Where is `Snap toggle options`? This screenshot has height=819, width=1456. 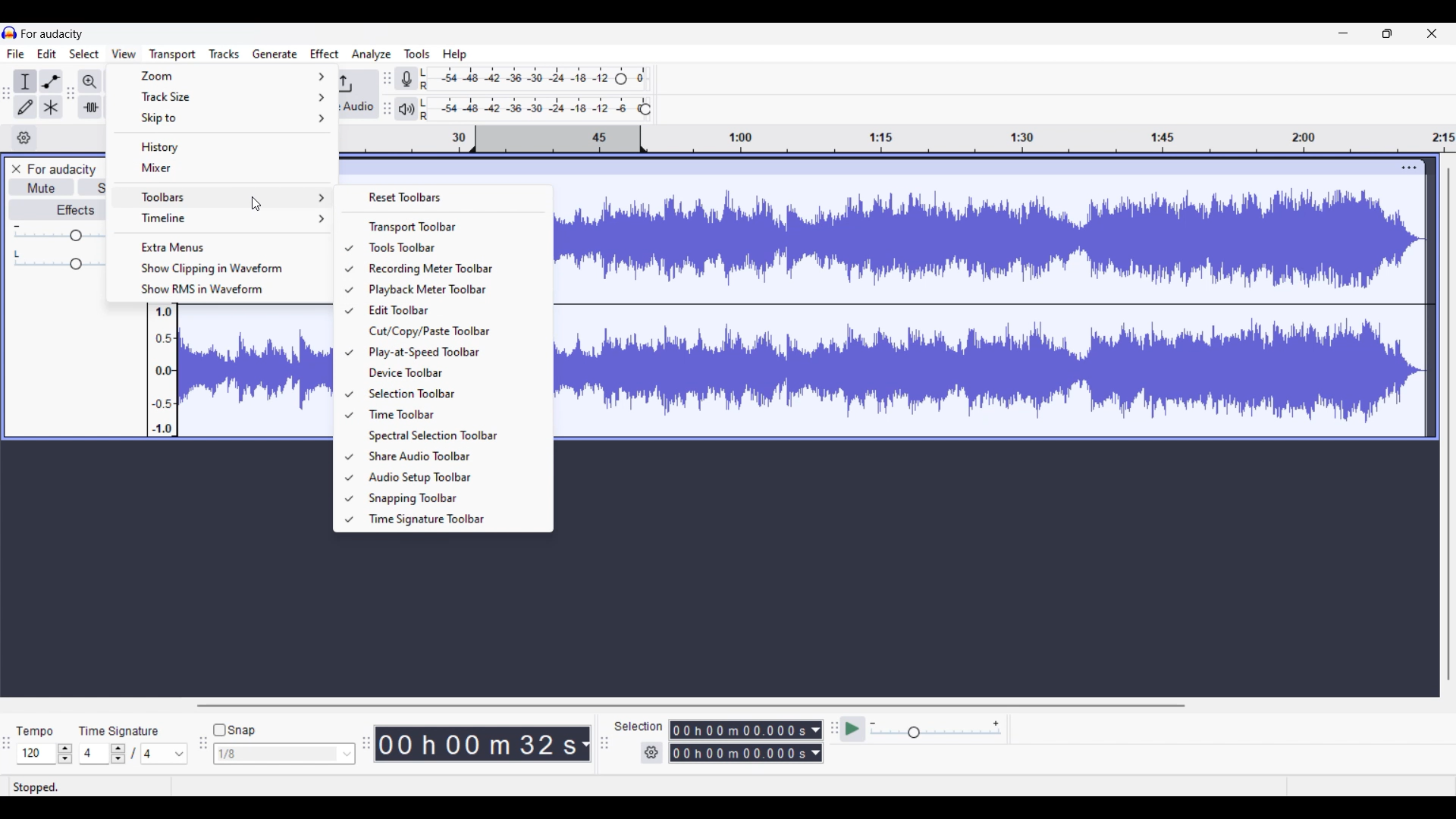 Snap toggle options is located at coordinates (284, 753).